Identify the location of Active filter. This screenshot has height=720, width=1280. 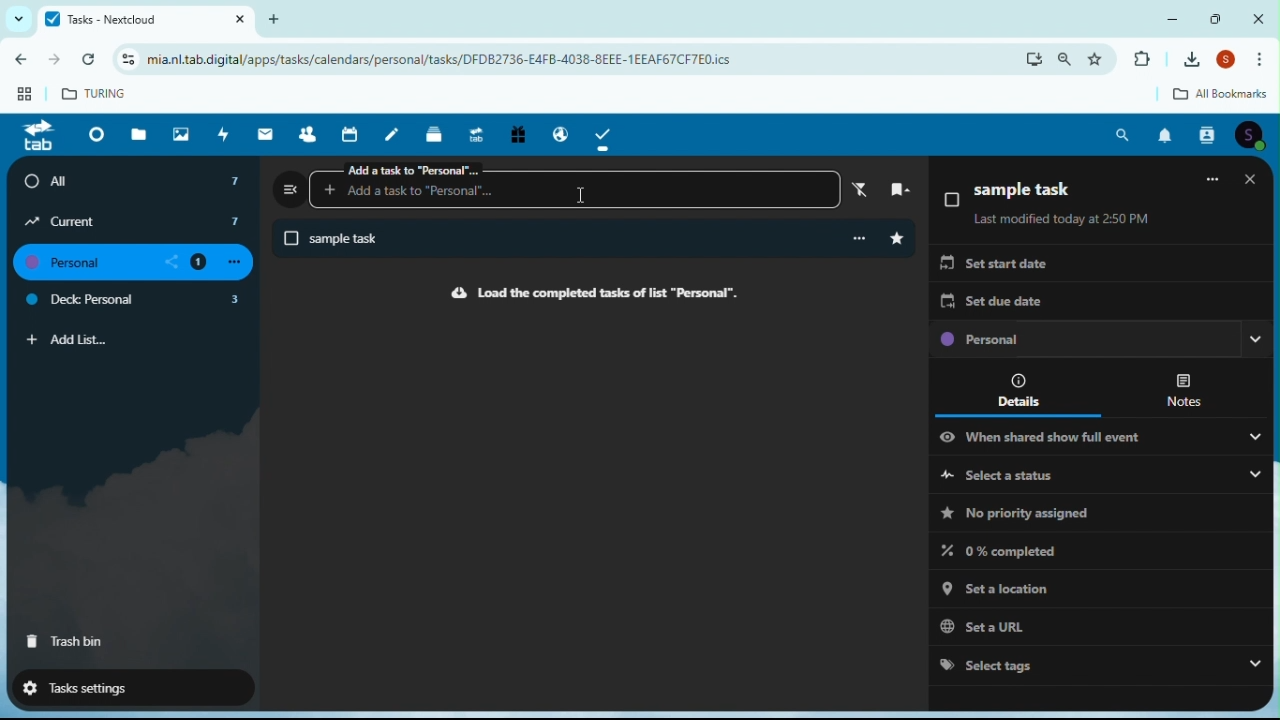
(1211, 190).